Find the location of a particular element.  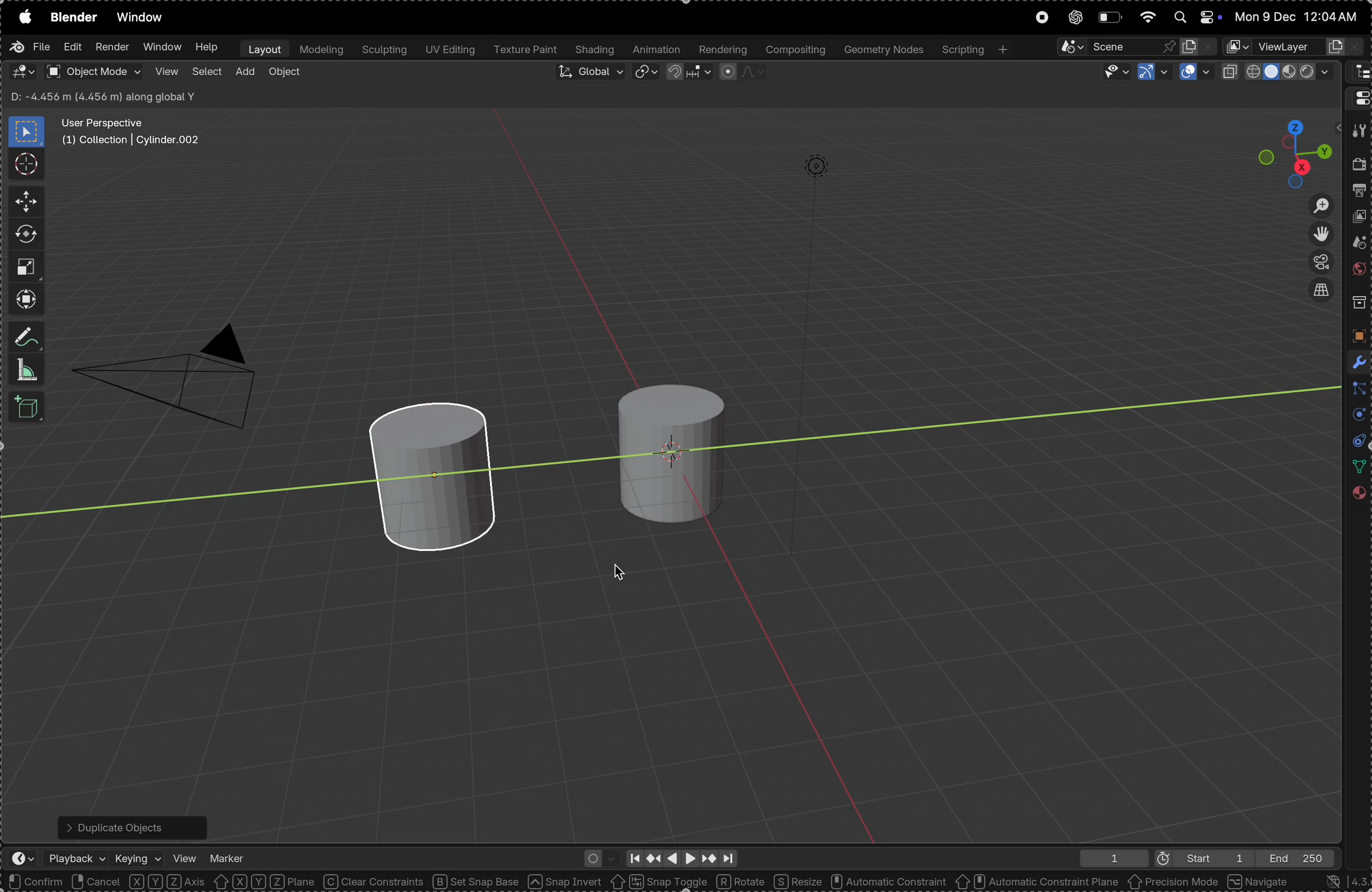

worls is located at coordinates (1358, 271).